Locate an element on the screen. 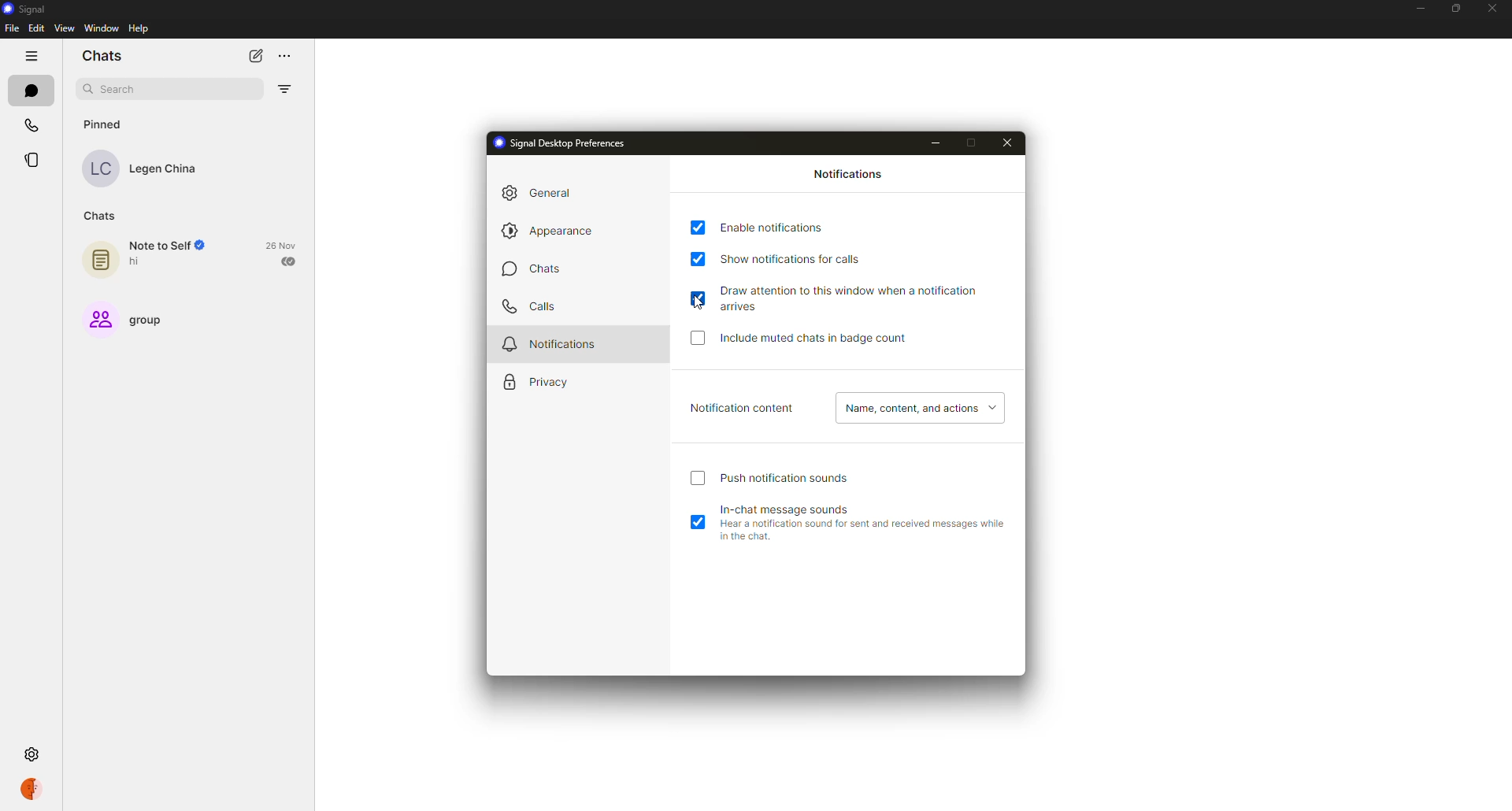  enabled is located at coordinates (699, 228).